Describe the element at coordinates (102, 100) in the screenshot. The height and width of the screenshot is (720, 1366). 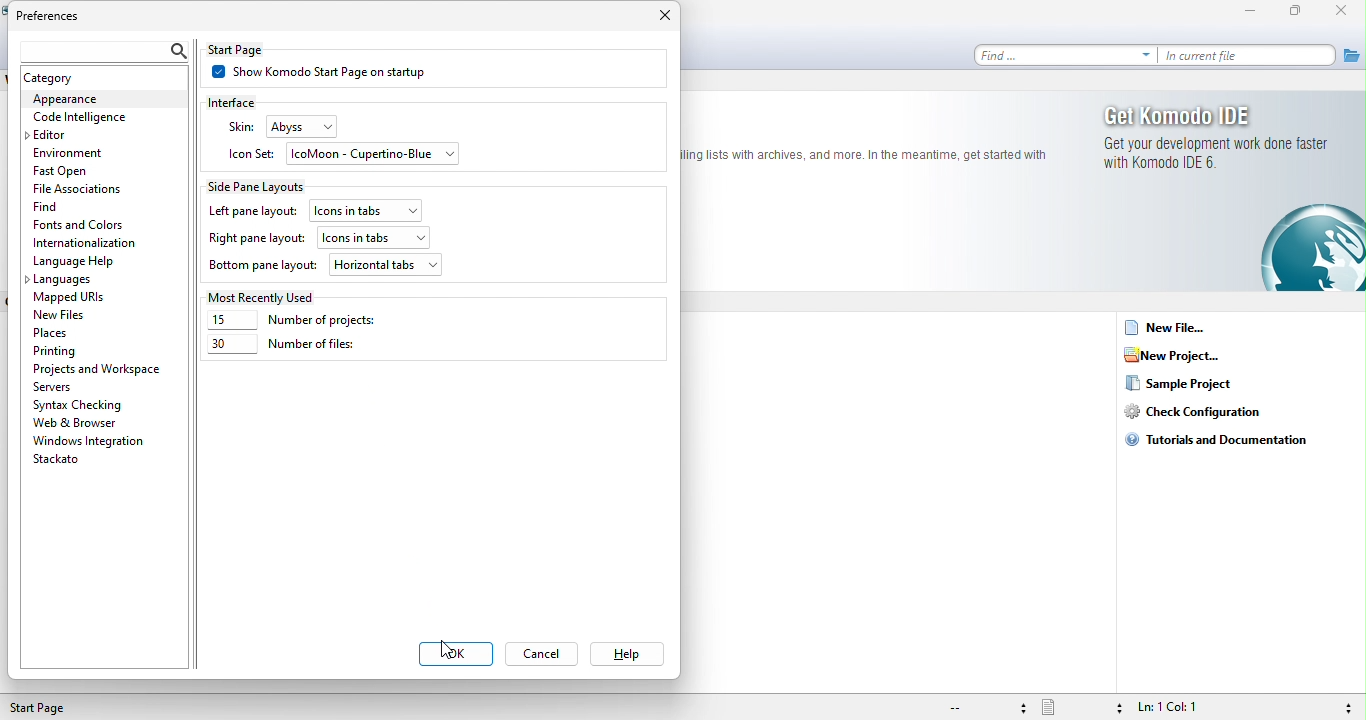
I see `appearence` at that location.